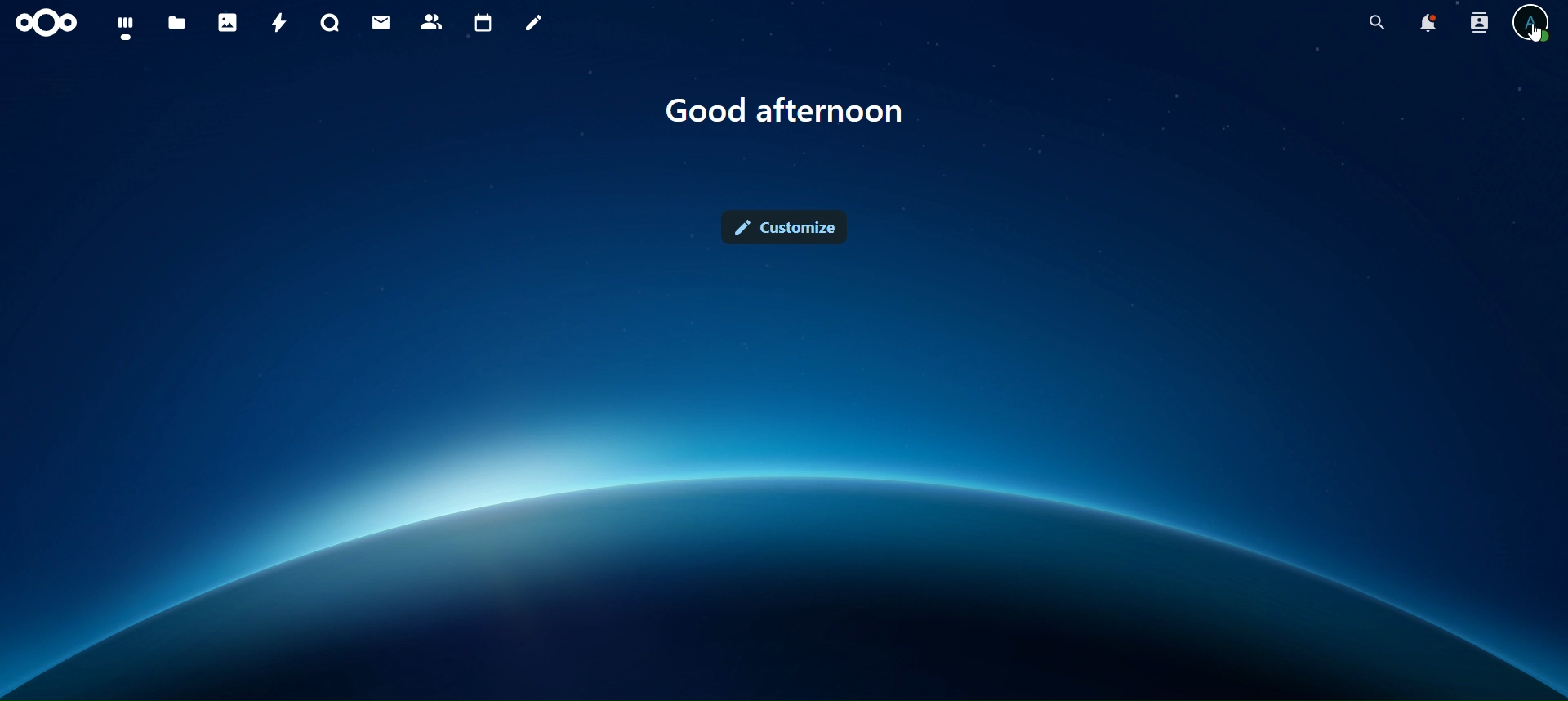 Image resolution: width=1568 pixels, height=701 pixels. I want to click on icon, so click(46, 21).